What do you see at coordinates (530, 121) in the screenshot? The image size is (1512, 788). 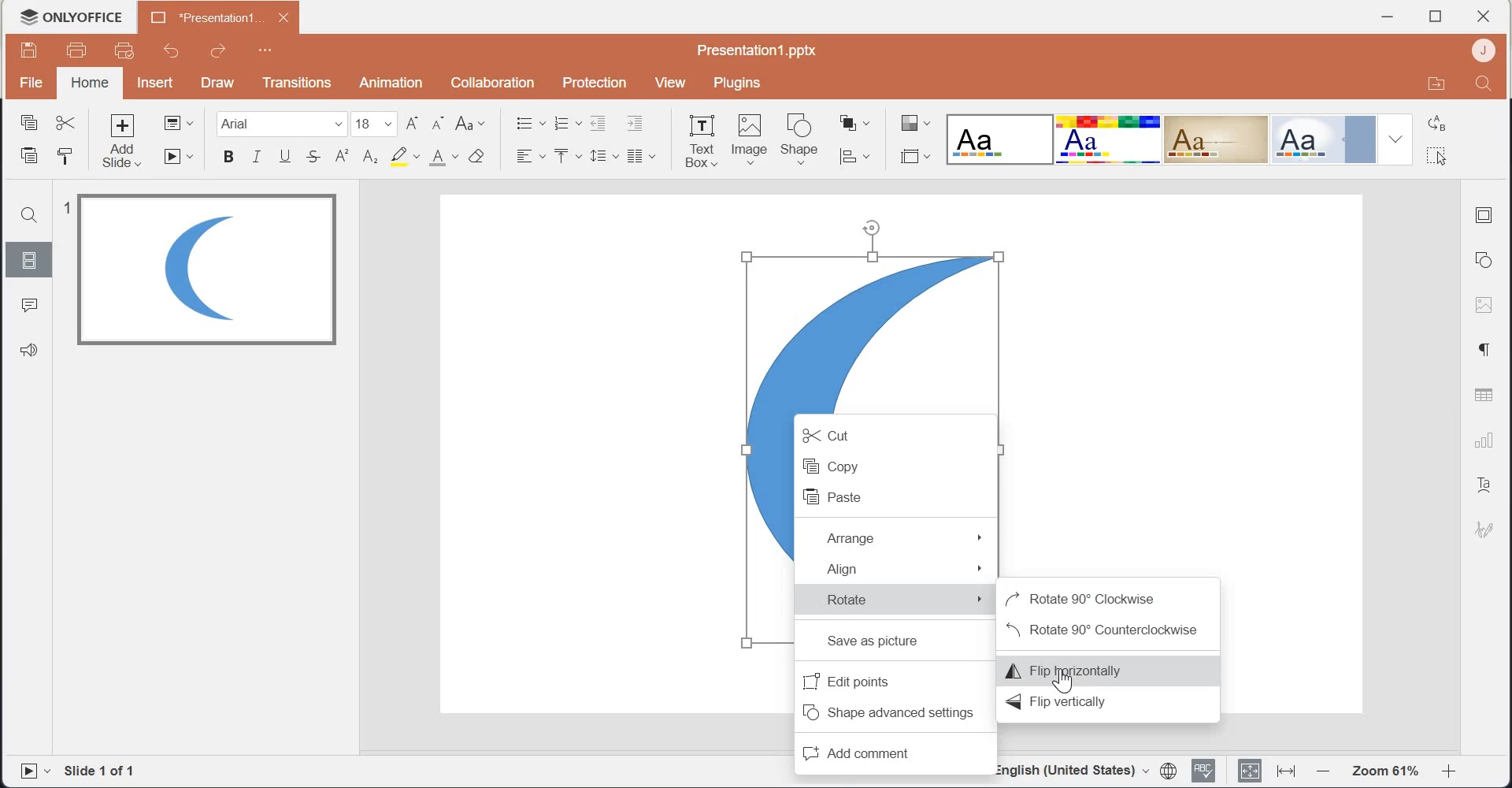 I see `Bullets` at bounding box center [530, 121].